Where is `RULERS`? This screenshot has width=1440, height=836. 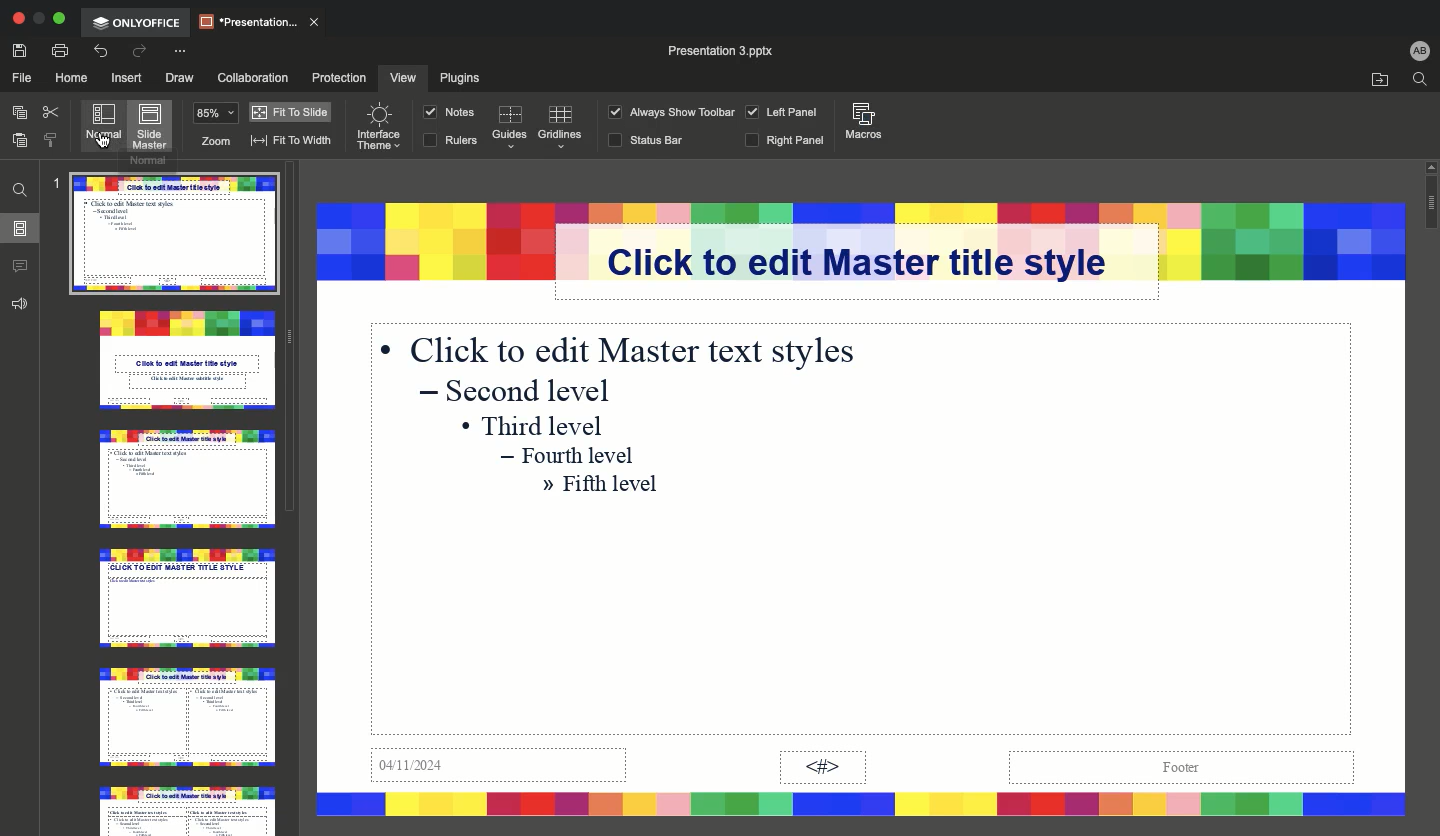 RULERS is located at coordinates (450, 142).